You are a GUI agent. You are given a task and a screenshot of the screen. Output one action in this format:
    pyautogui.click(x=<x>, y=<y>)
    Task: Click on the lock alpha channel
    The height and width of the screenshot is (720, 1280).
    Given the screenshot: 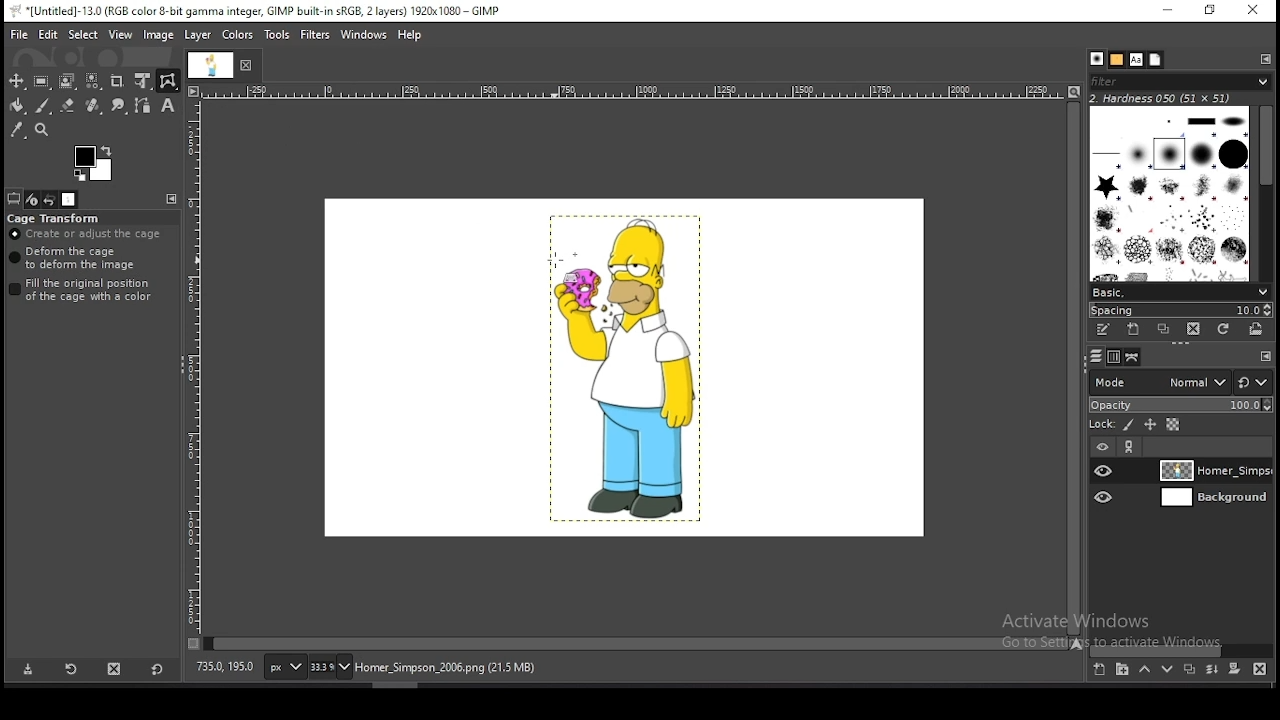 What is the action you would take?
    pyautogui.click(x=1172, y=426)
    